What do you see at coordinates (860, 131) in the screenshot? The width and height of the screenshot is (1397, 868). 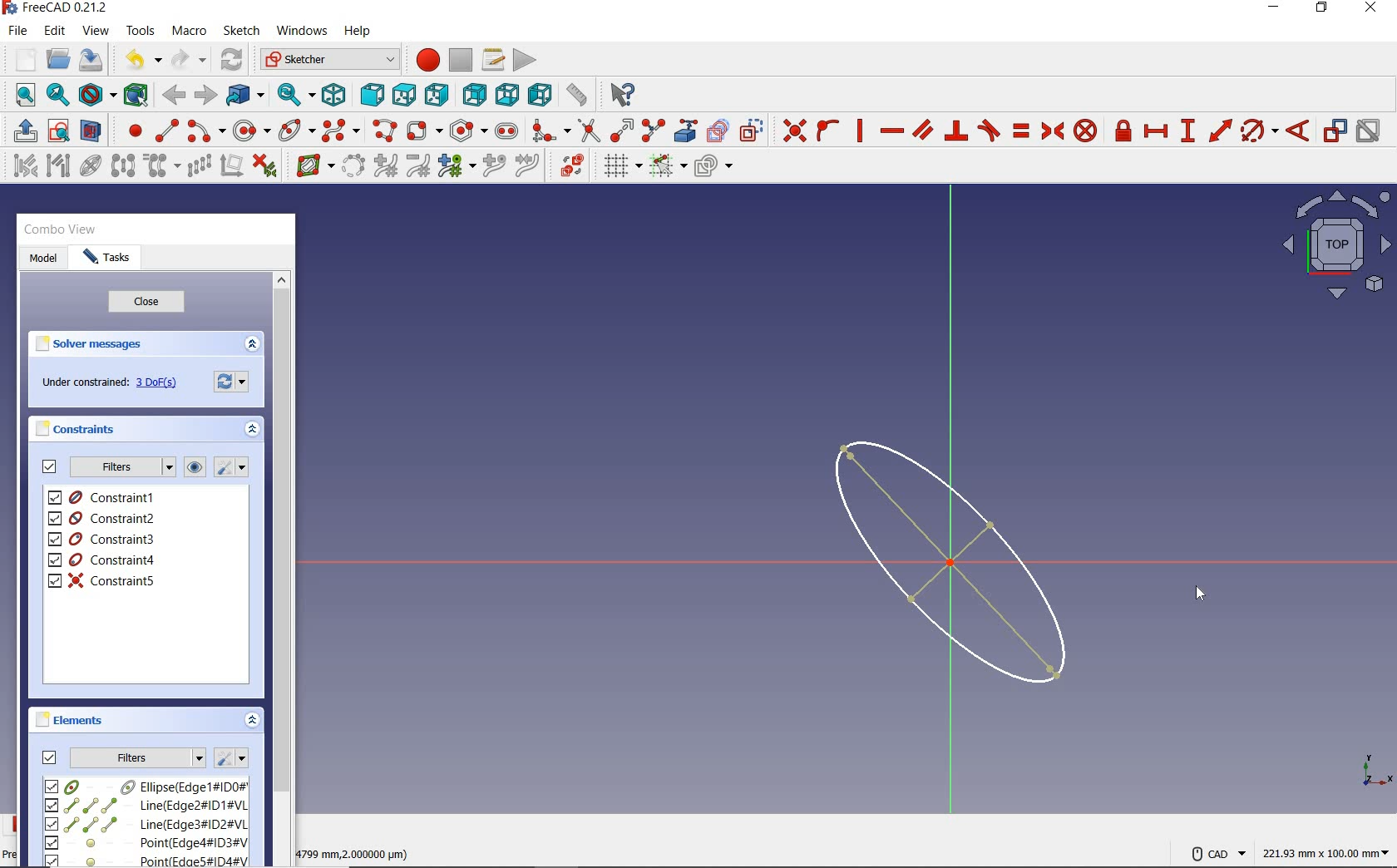 I see `constrain vertically` at bounding box center [860, 131].